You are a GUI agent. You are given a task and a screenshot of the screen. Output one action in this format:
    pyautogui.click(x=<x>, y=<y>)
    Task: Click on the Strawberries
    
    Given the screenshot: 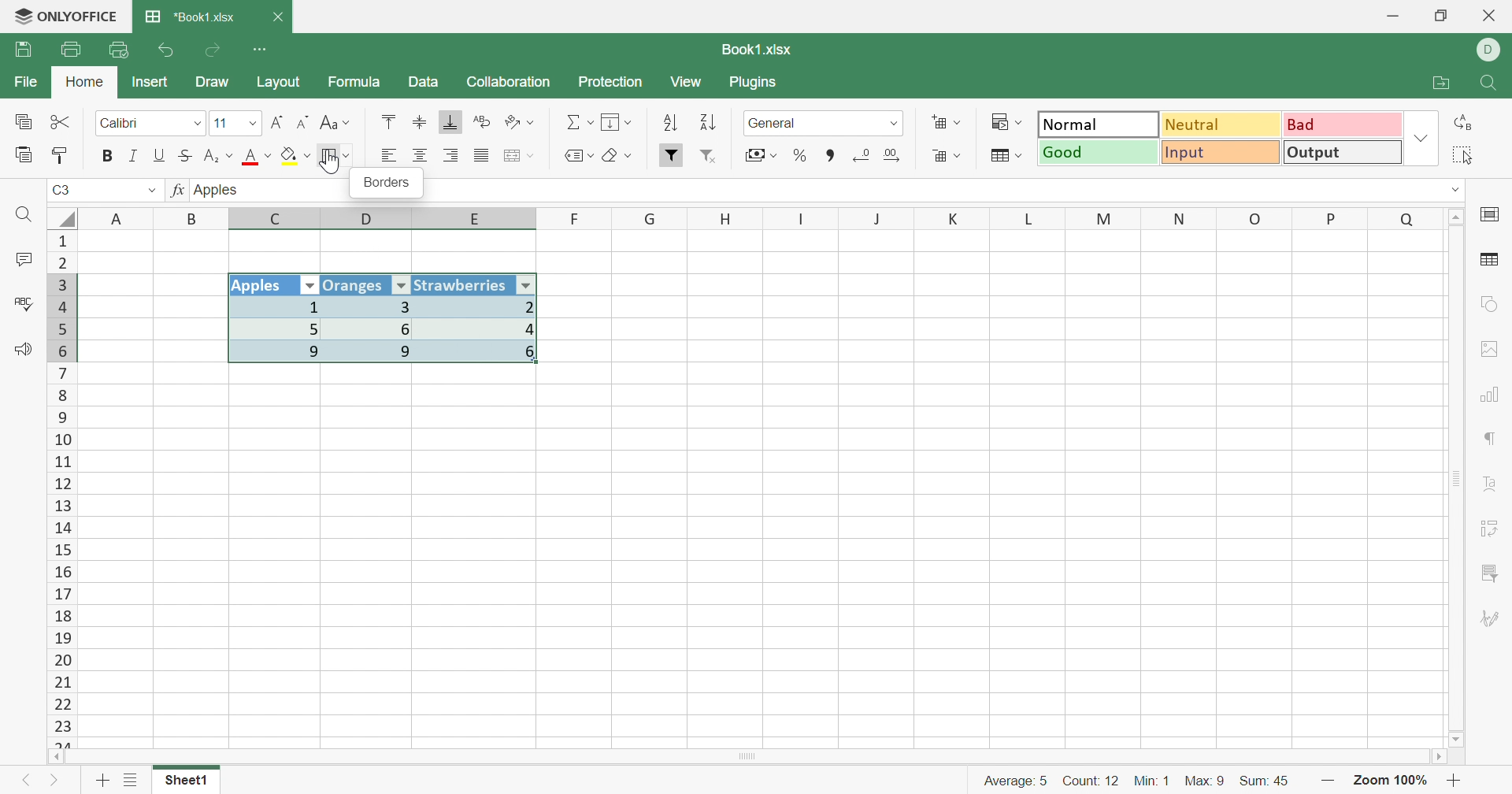 What is the action you would take?
    pyautogui.click(x=462, y=284)
    